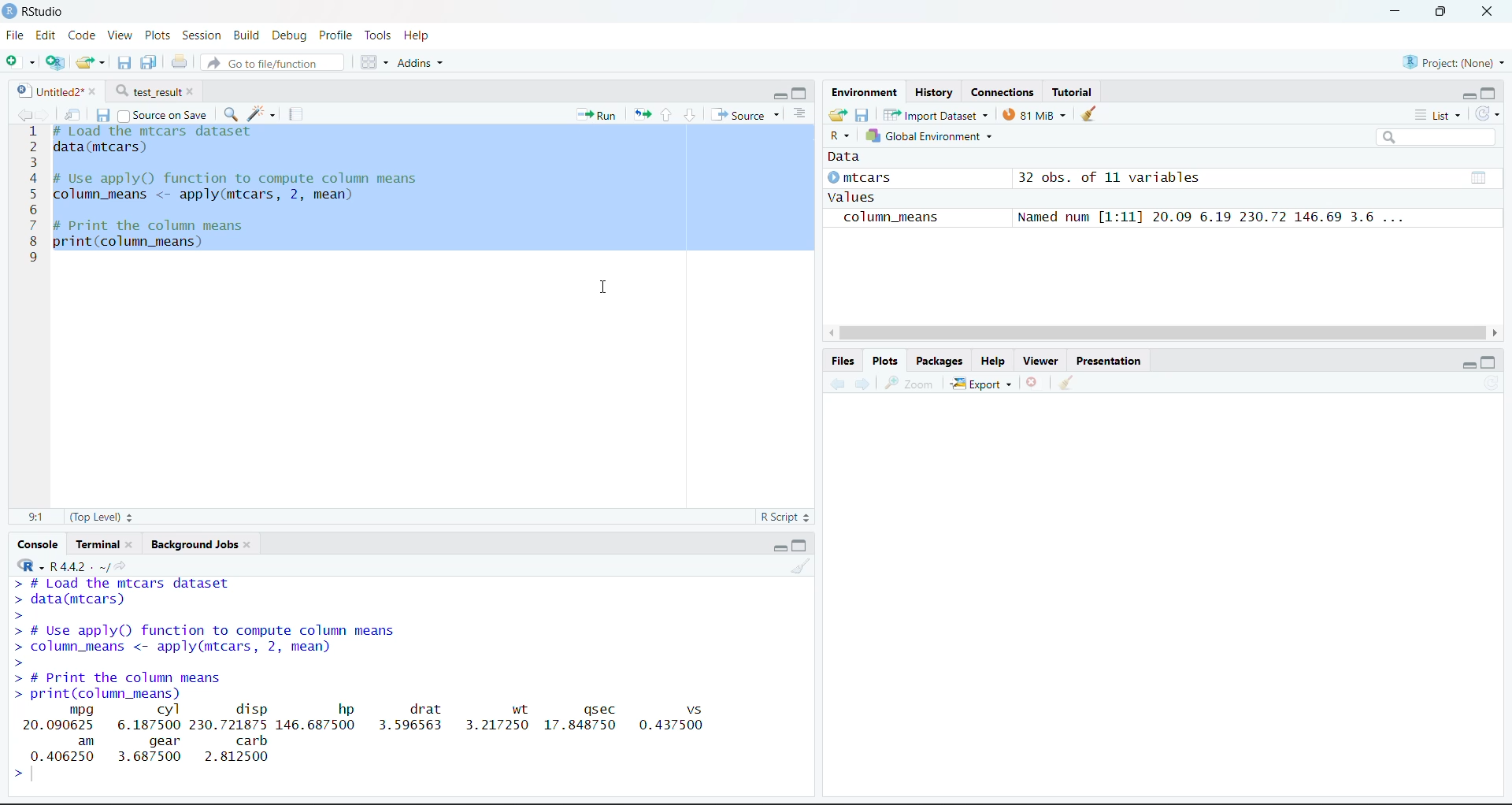  I want to click on Tools, so click(377, 34).